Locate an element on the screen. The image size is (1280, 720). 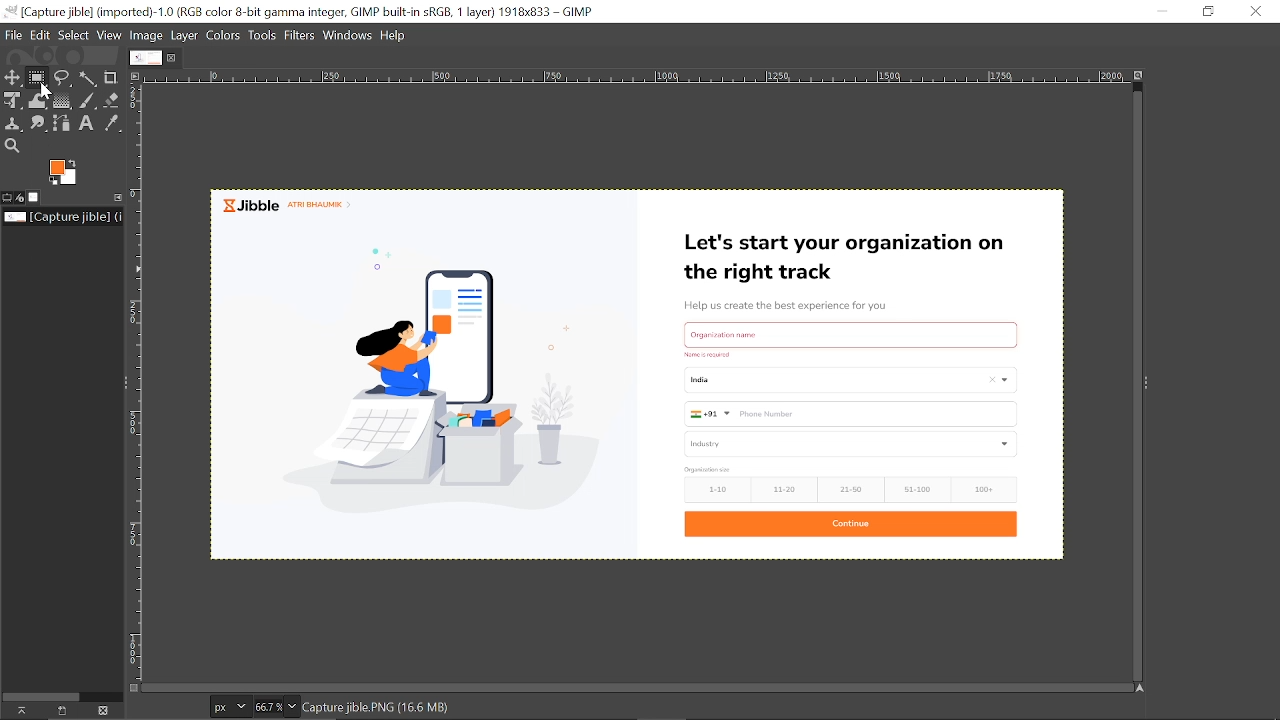
Image is located at coordinates (150, 34).